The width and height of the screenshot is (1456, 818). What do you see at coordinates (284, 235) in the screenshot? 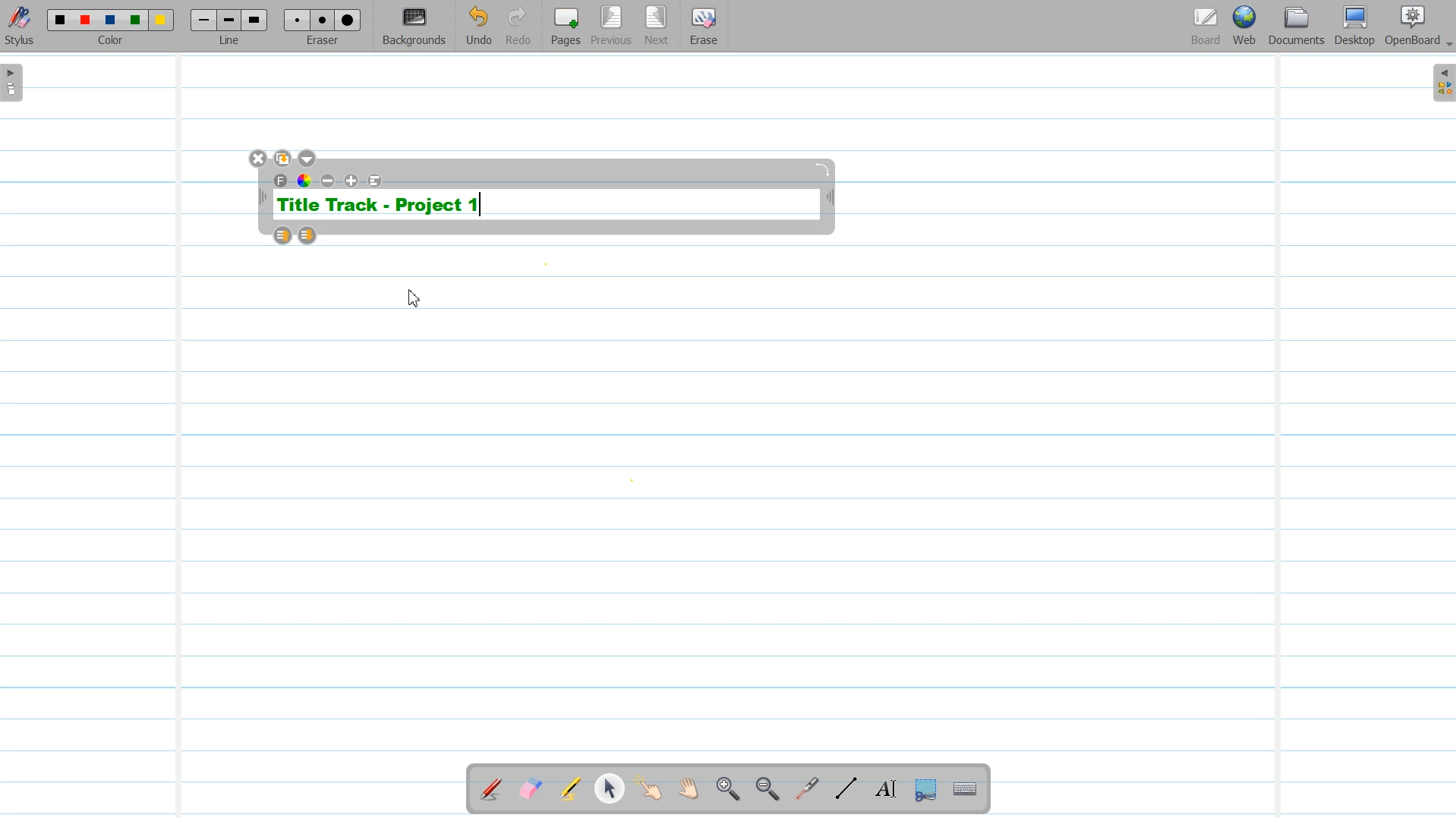
I see `Layer up` at bounding box center [284, 235].